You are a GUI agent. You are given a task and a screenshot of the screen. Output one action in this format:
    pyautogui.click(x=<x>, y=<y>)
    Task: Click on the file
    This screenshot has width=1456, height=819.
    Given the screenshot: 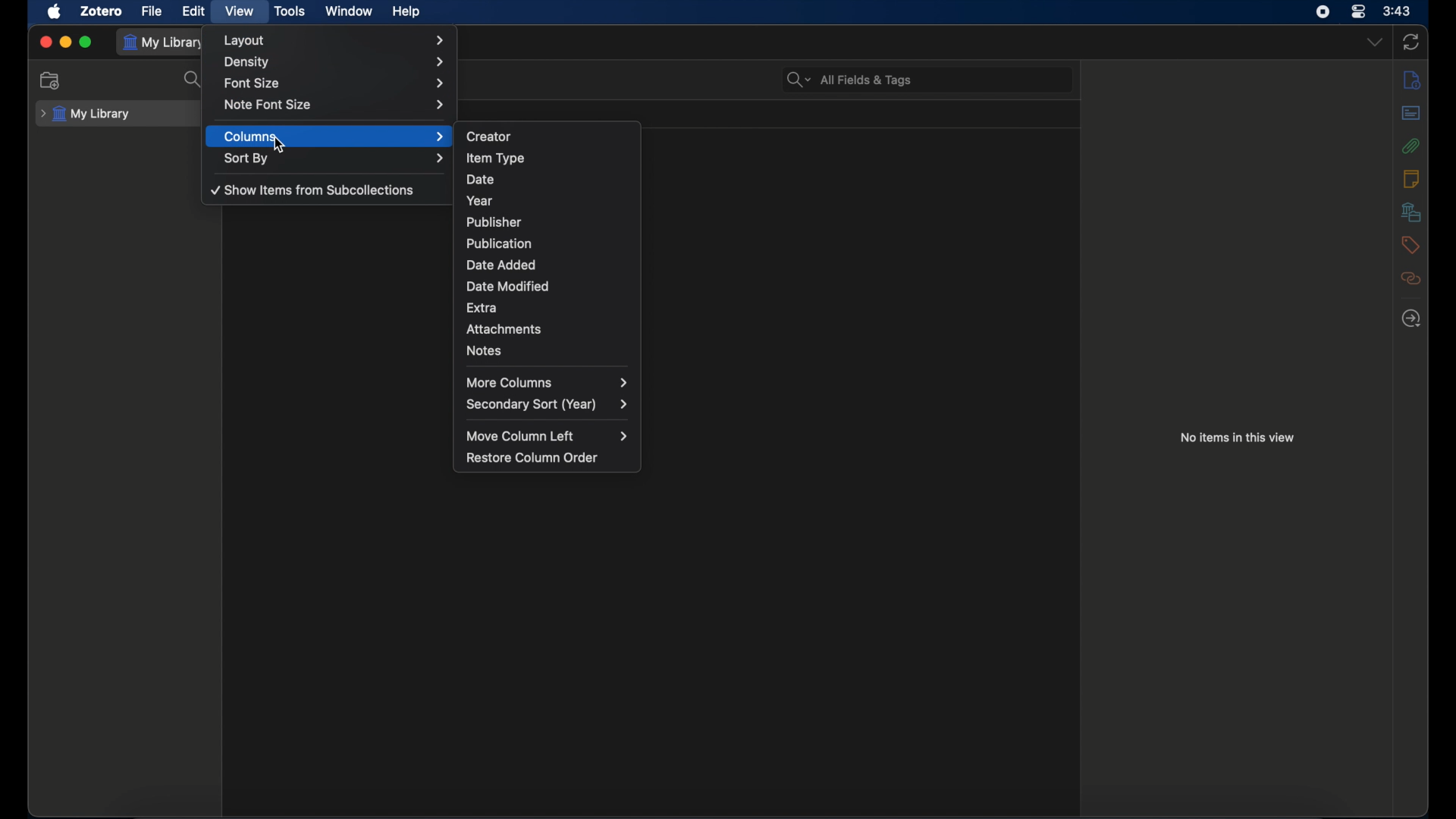 What is the action you would take?
    pyautogui.click(x=152, y=11)
    